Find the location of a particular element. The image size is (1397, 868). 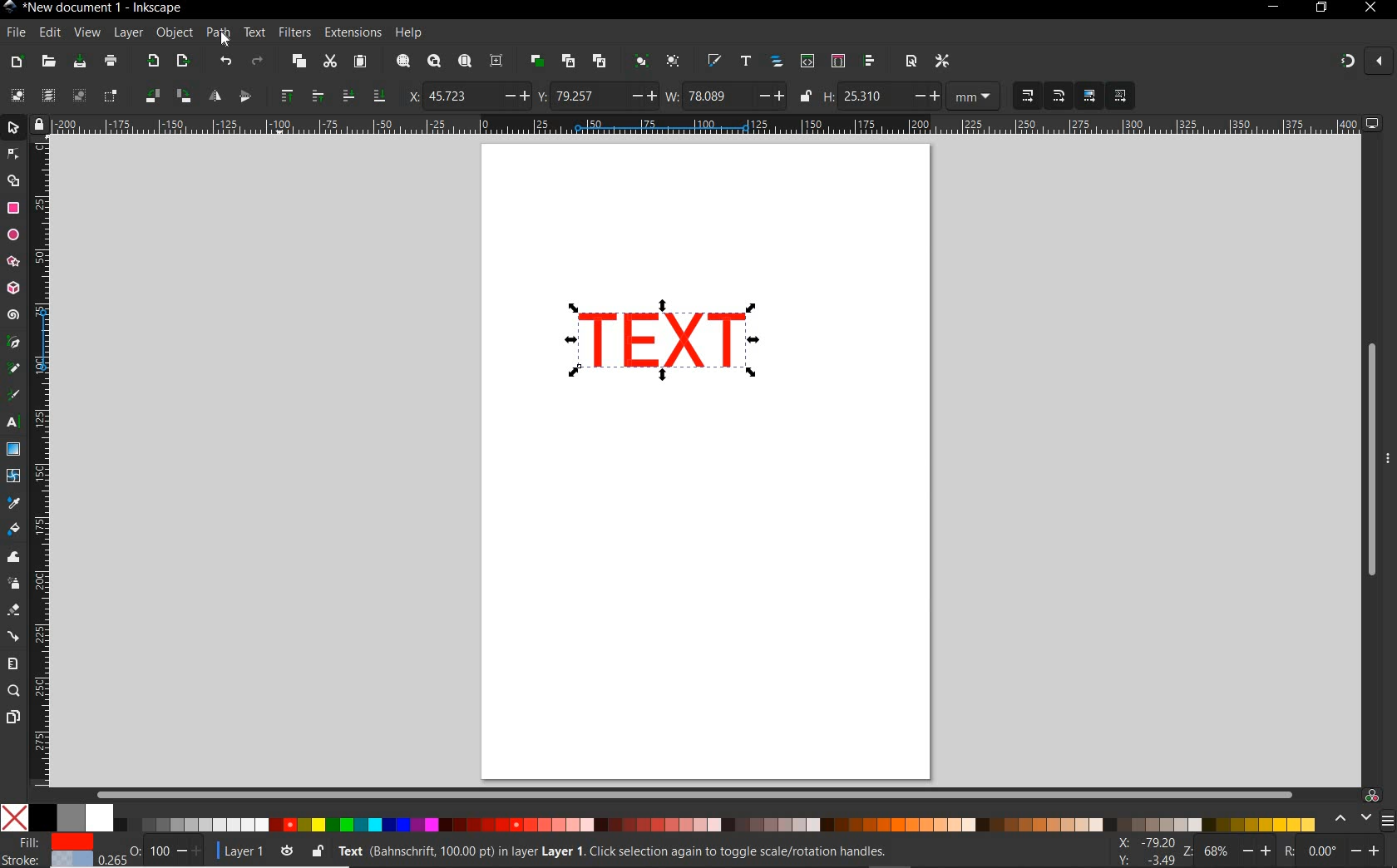

RULER is located at coordinates (708, 126).